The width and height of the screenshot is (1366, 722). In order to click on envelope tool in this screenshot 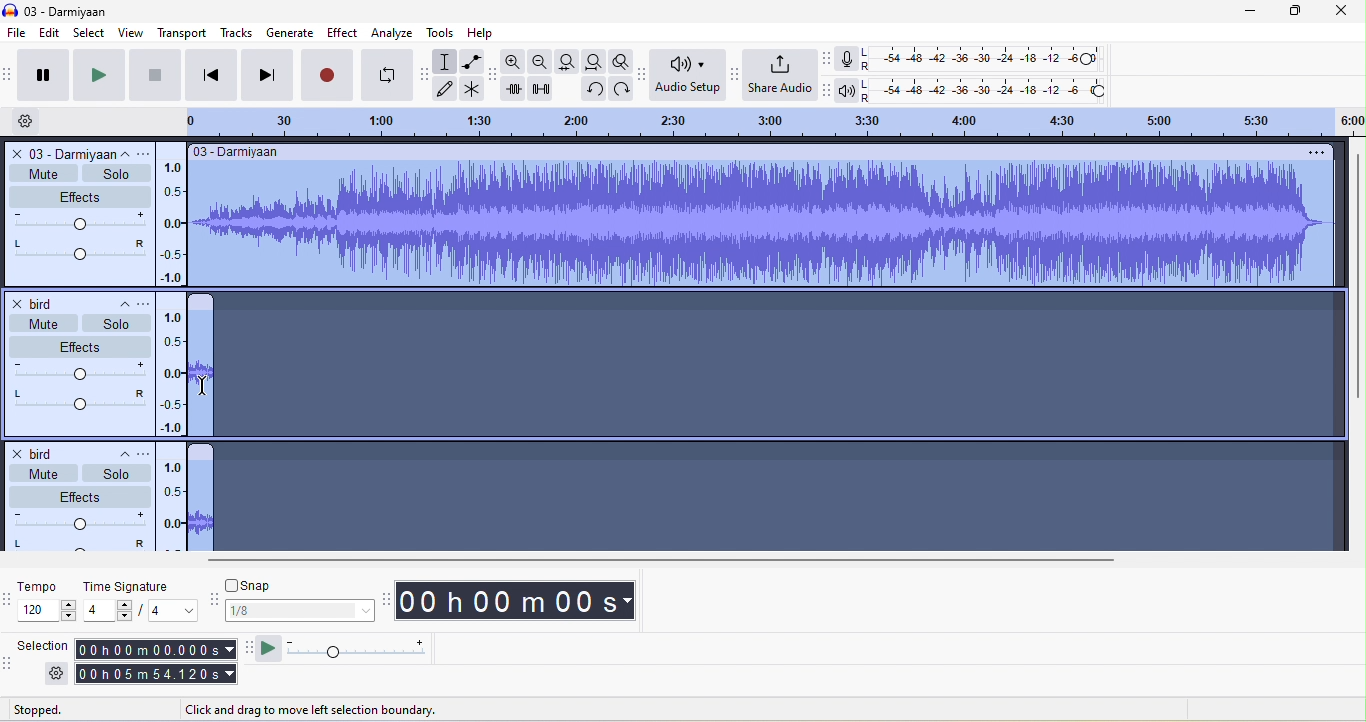, I will do `click(472, 63)`.